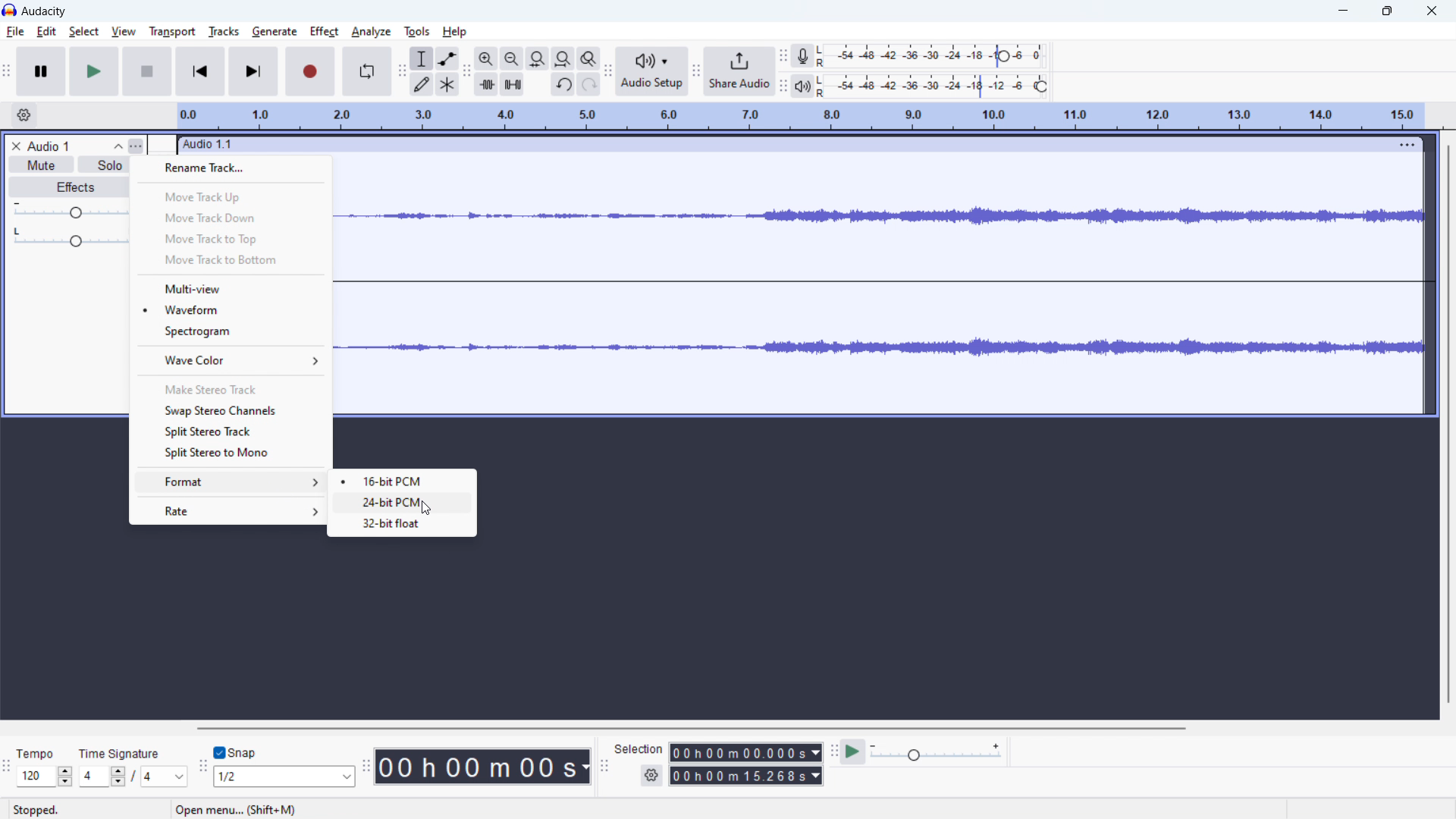  Describe the element at coordinates (1404, 144) in the screenshot. I see `view menu` at that location.